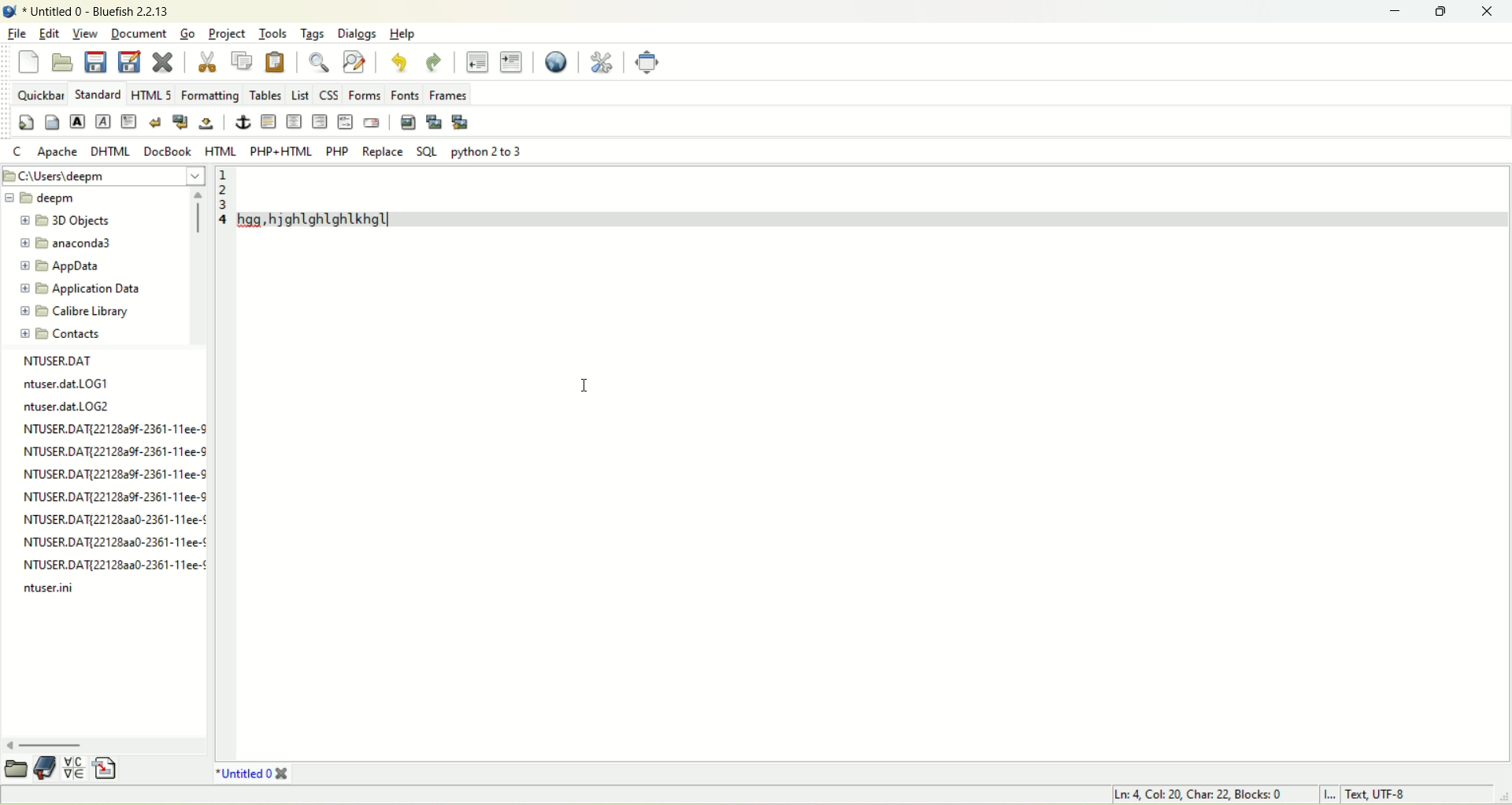  I want to click on document tab, so click(245, 772).